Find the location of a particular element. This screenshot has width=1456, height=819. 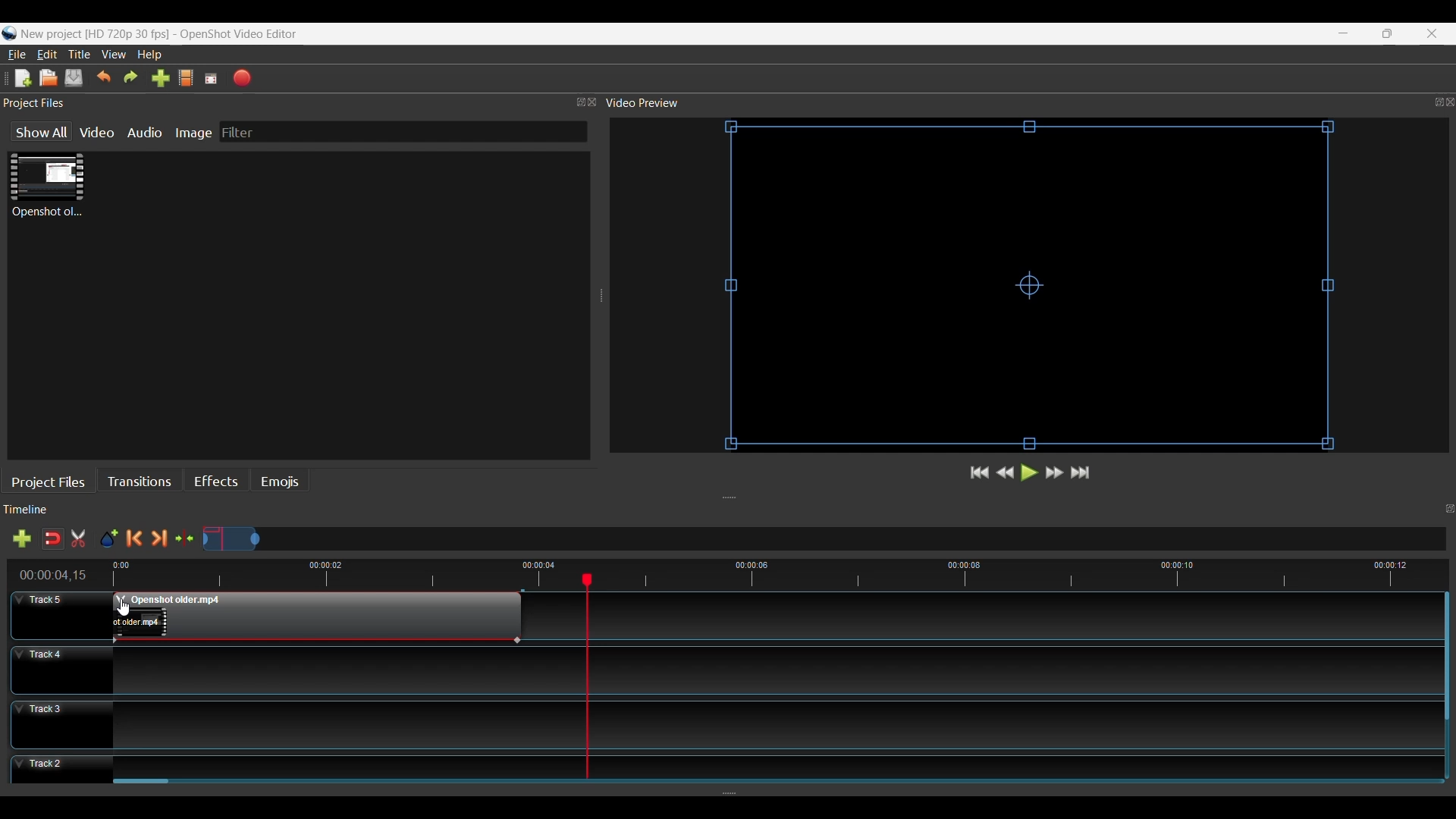

OpenShot Video Editor is located at coordinates (245, 35).